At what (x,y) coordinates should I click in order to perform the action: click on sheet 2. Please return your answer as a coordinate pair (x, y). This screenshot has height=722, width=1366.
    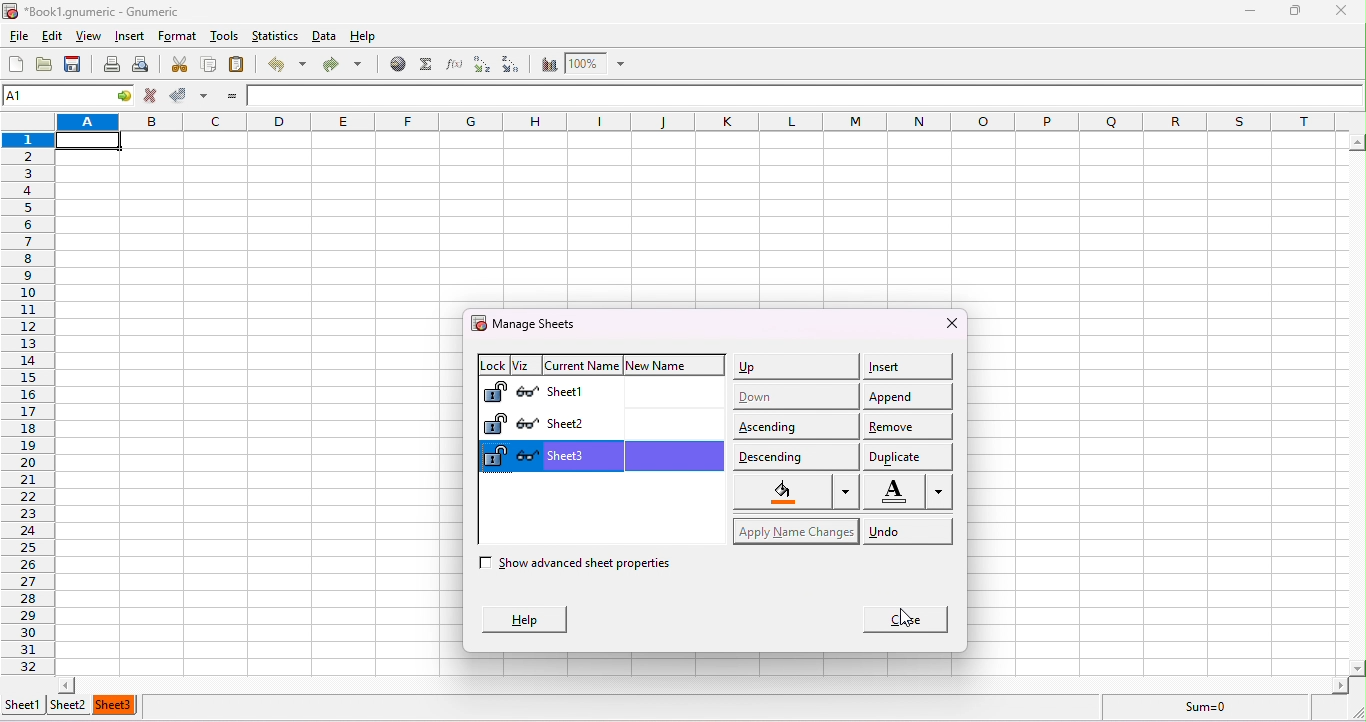
    Looking at the image, I should click on (72, 706).